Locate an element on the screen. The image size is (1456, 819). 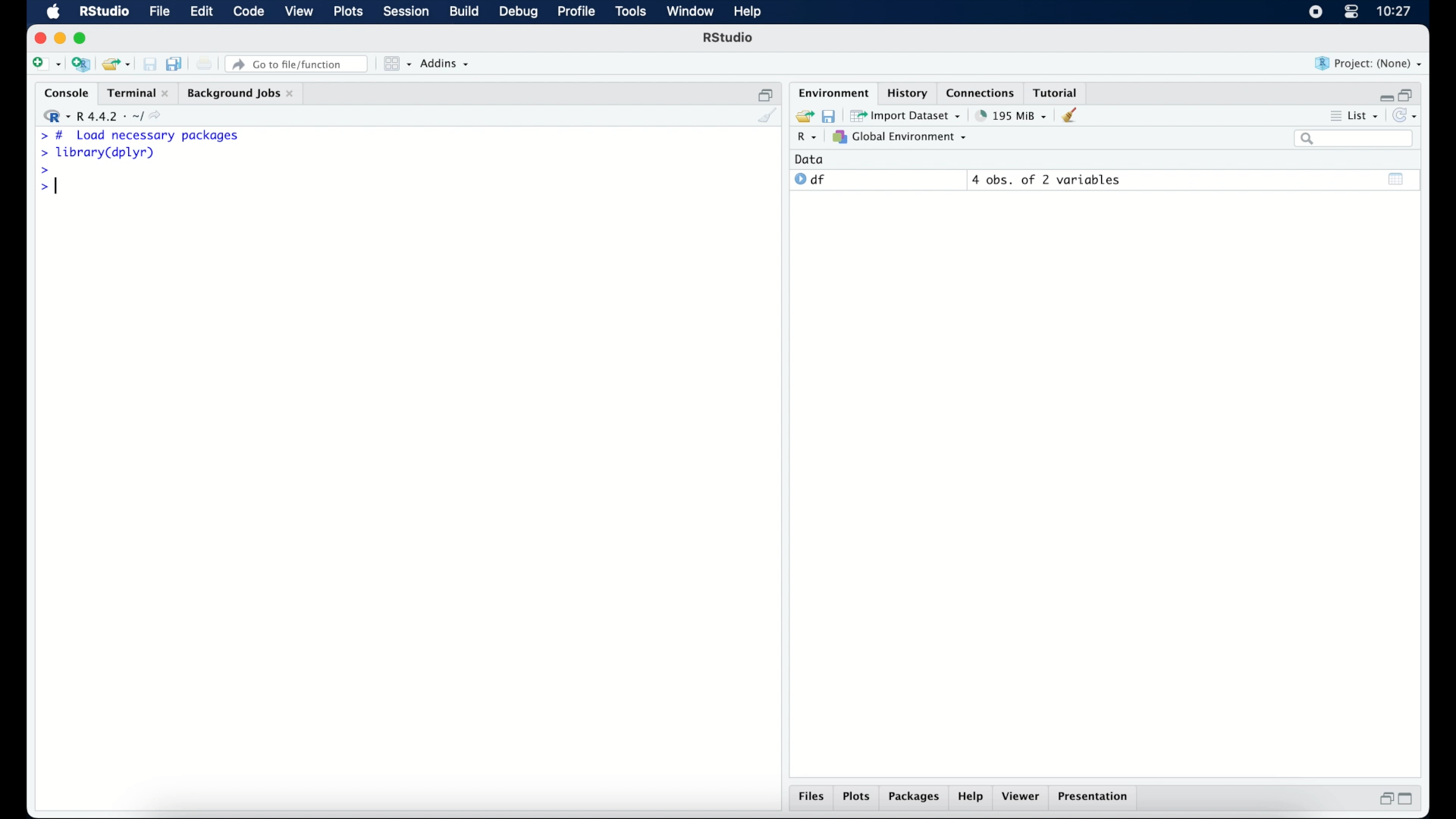
background jobs is located at coordinates (240, 93).